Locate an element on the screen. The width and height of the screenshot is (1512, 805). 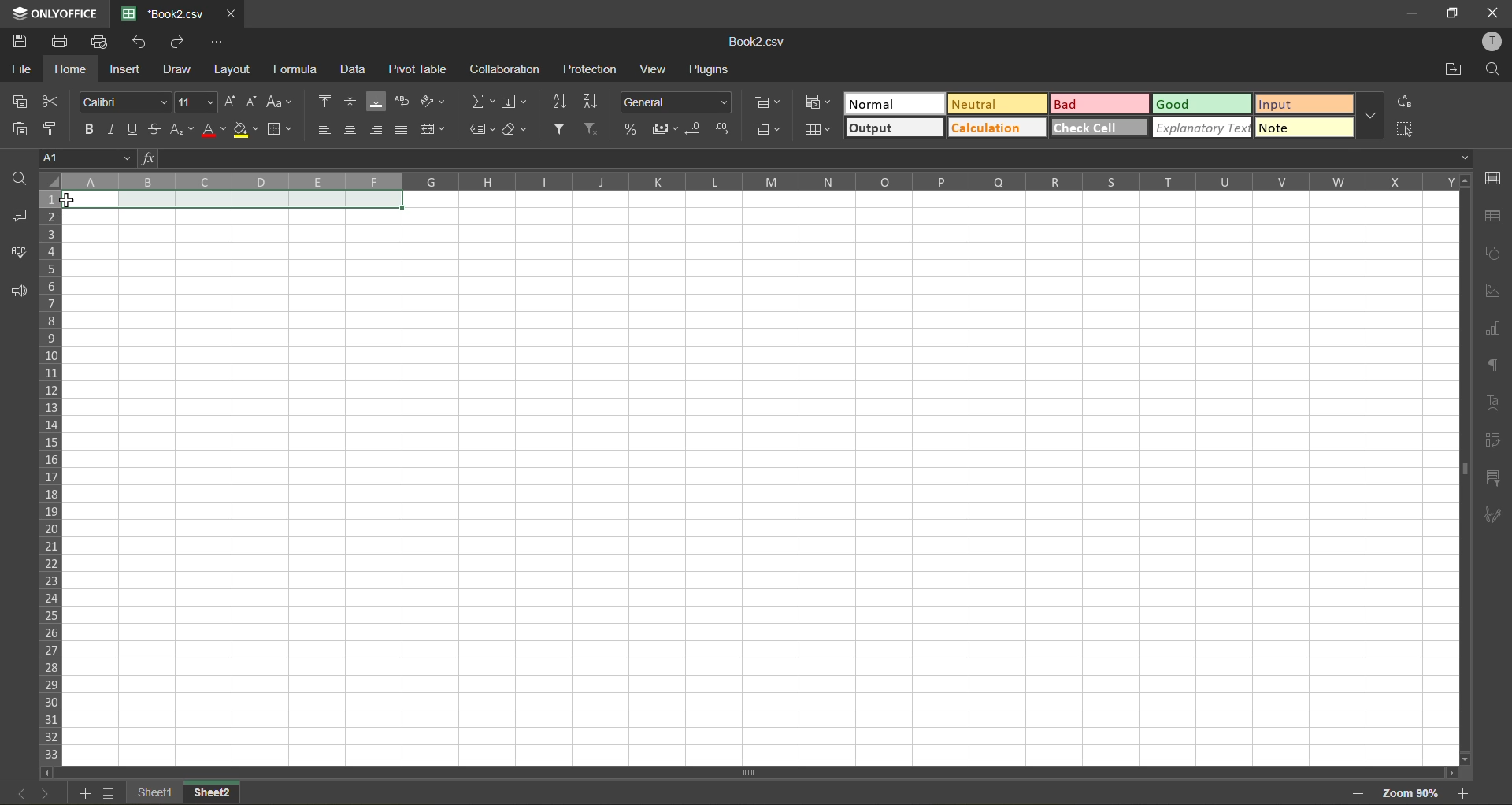
align center is located at coordinates (351, 128).